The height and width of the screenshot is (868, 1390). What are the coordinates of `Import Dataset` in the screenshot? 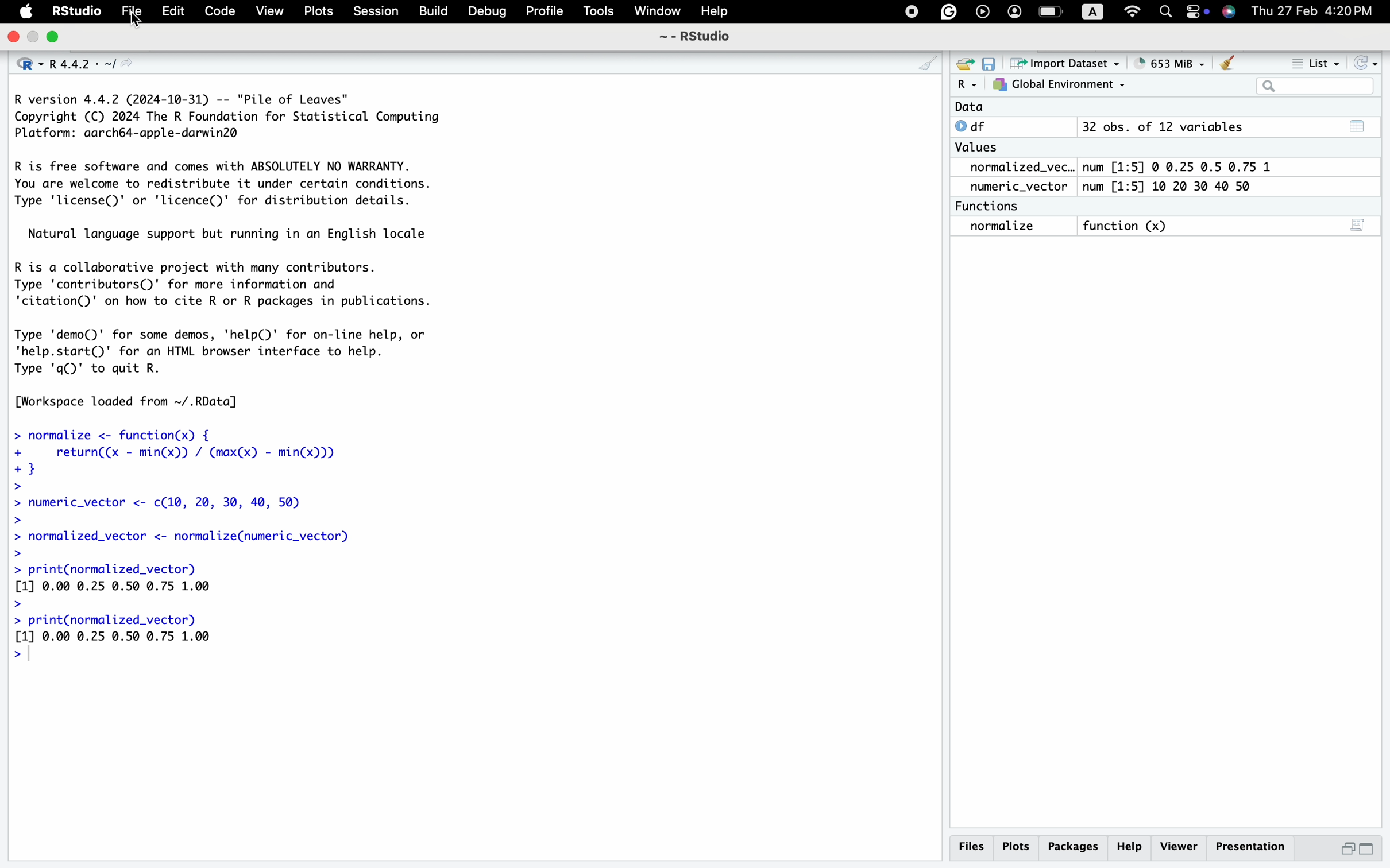 It's located at (1068, 63).